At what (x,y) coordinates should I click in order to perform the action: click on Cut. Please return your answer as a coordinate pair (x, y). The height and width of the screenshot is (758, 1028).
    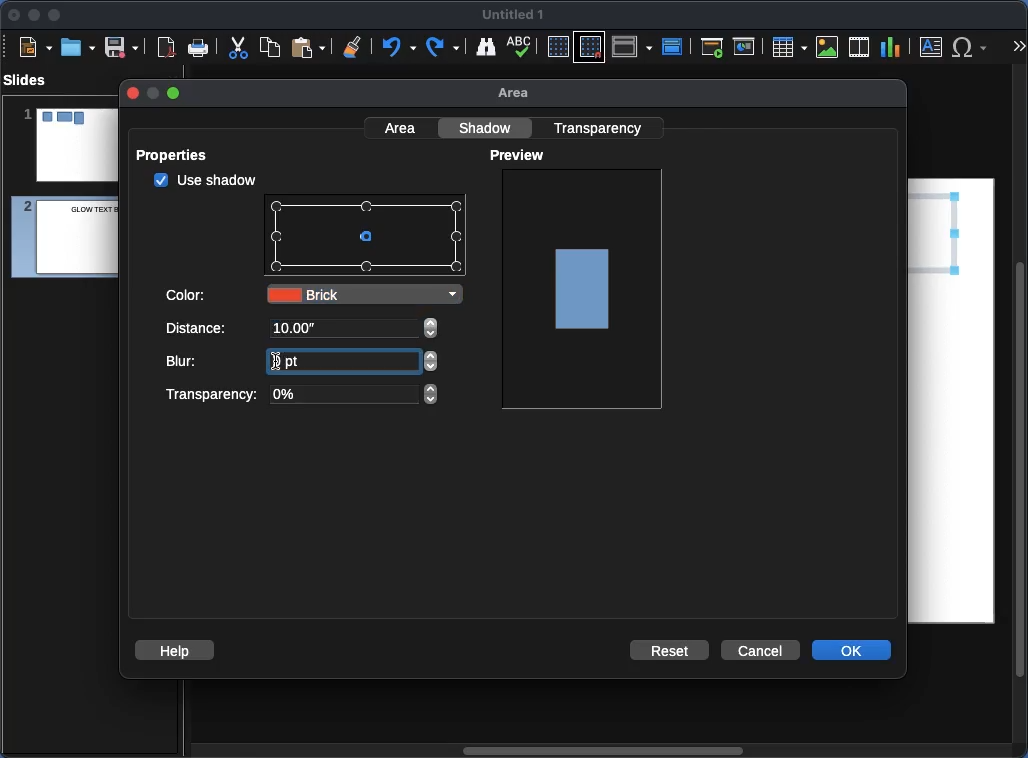
    Looking at the image, I should click on (238, 47).